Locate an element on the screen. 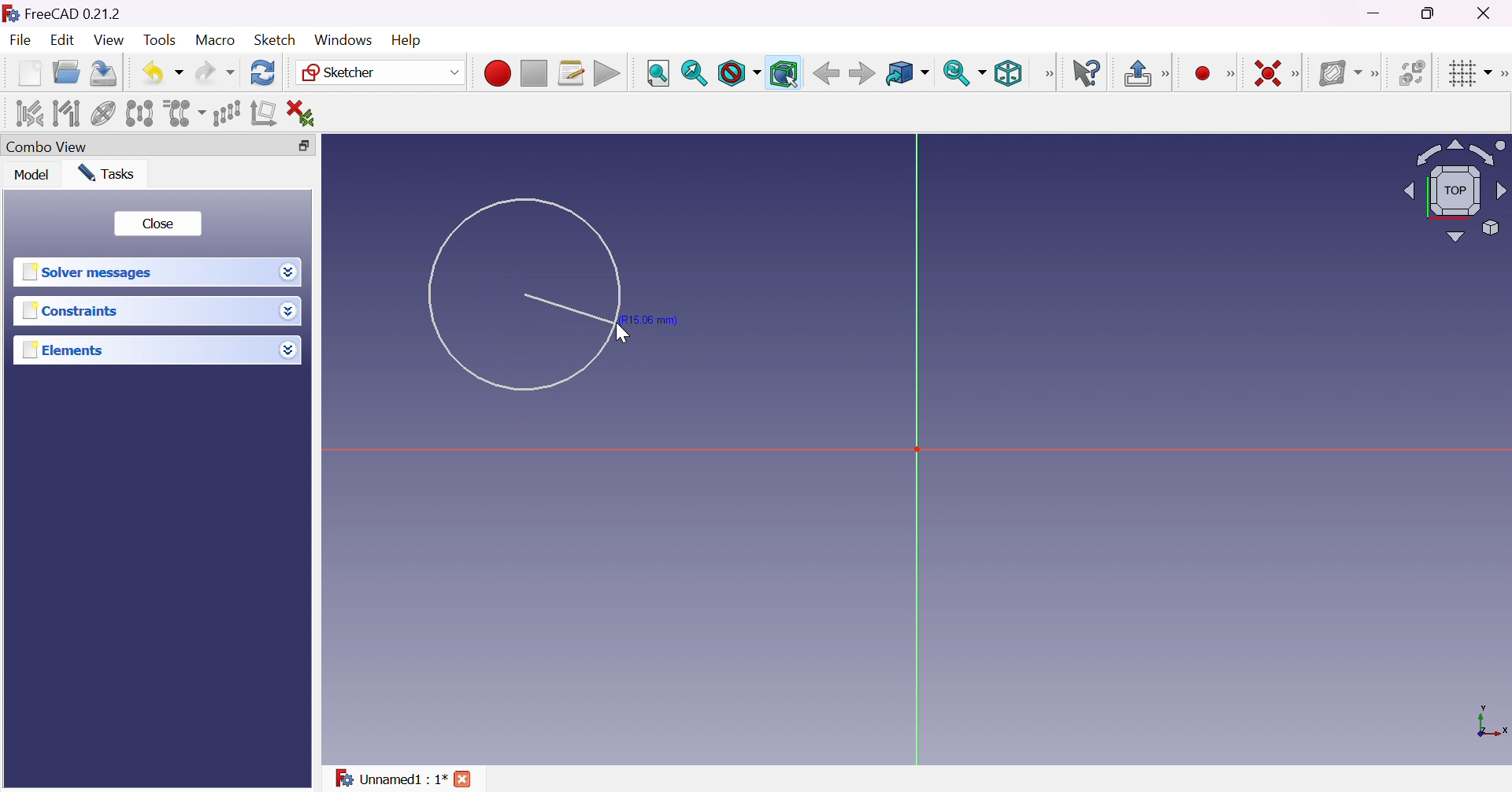 This screenshot has height=792, width=1512. Toggle grid is located at coordinates (1468, 72).